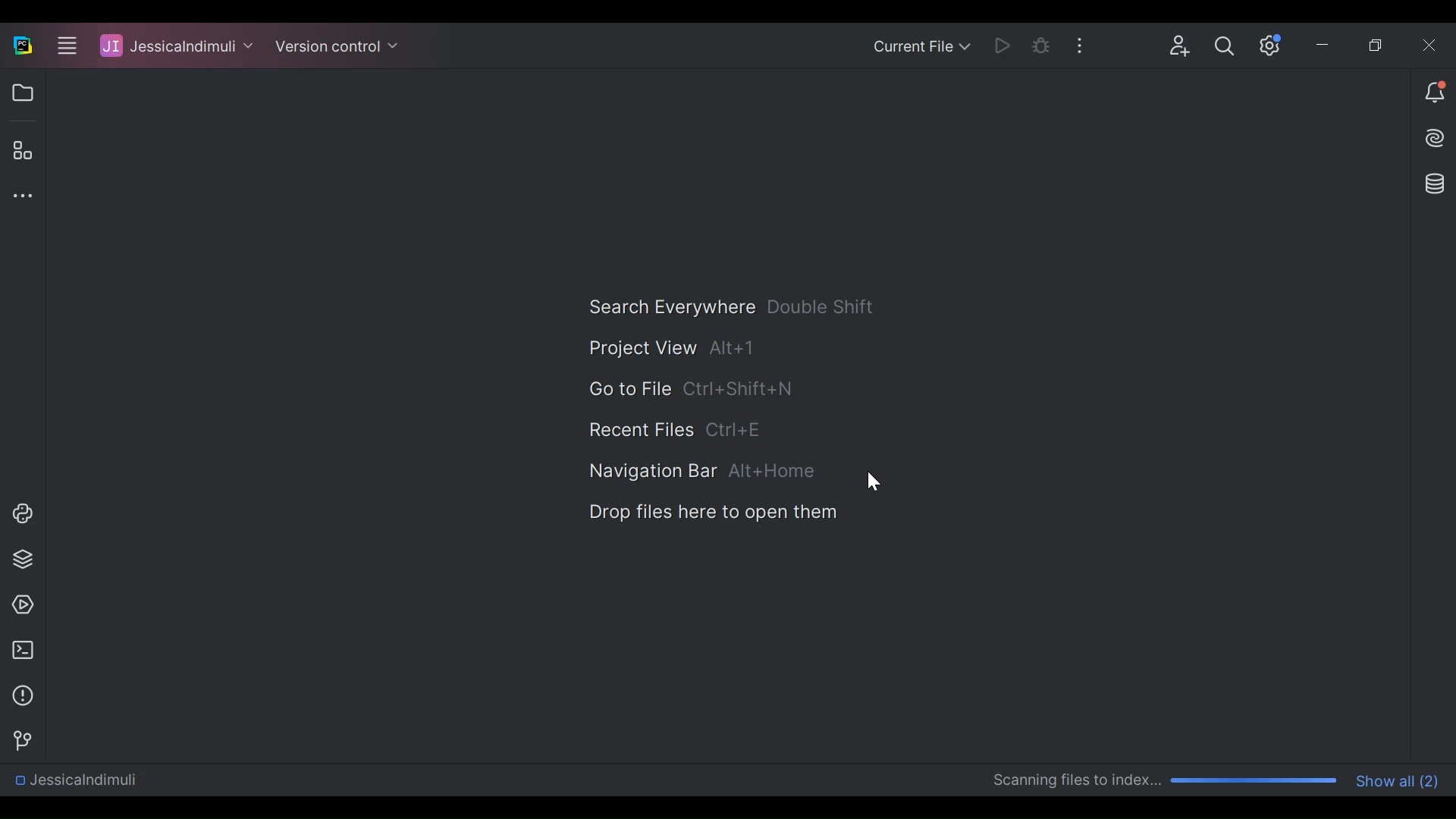 The height and width of the screenshot is (819, 1456). I want to click on Jessicalndimuli, so click(177, 45).